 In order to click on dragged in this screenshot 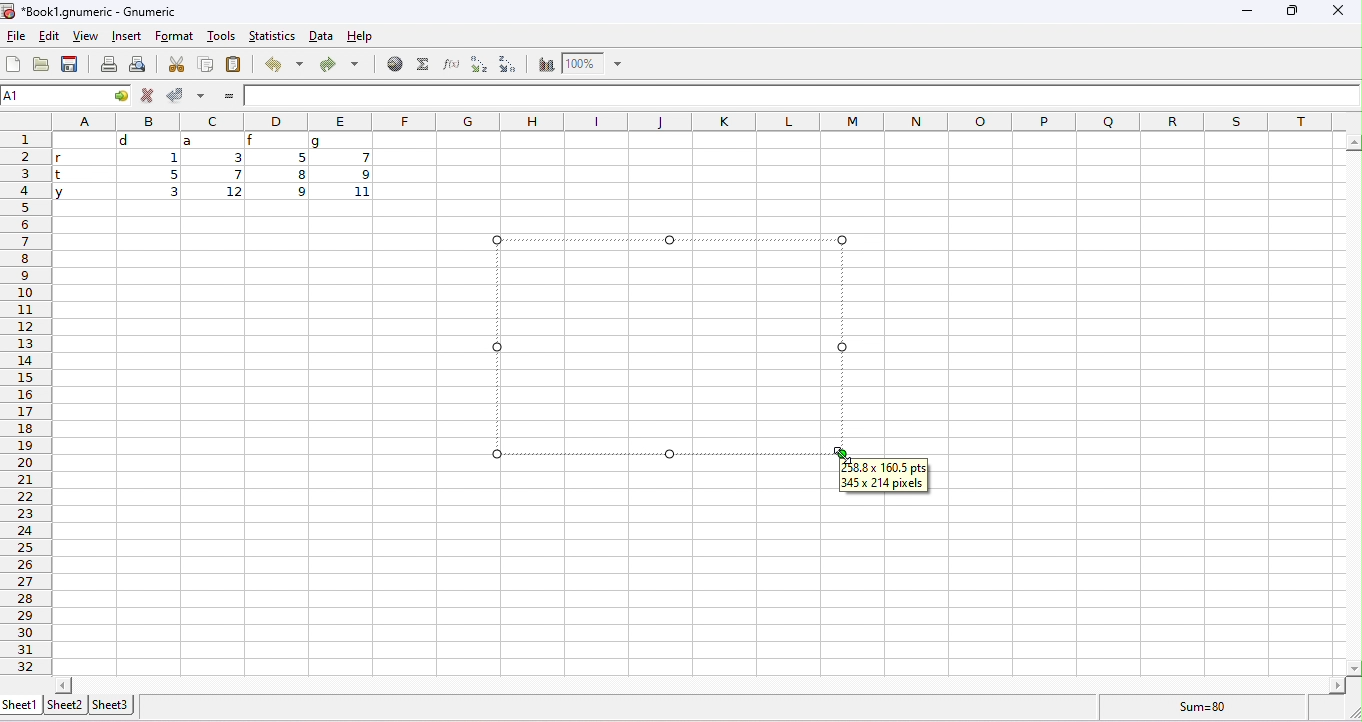, I will do `click(672, 349)`.